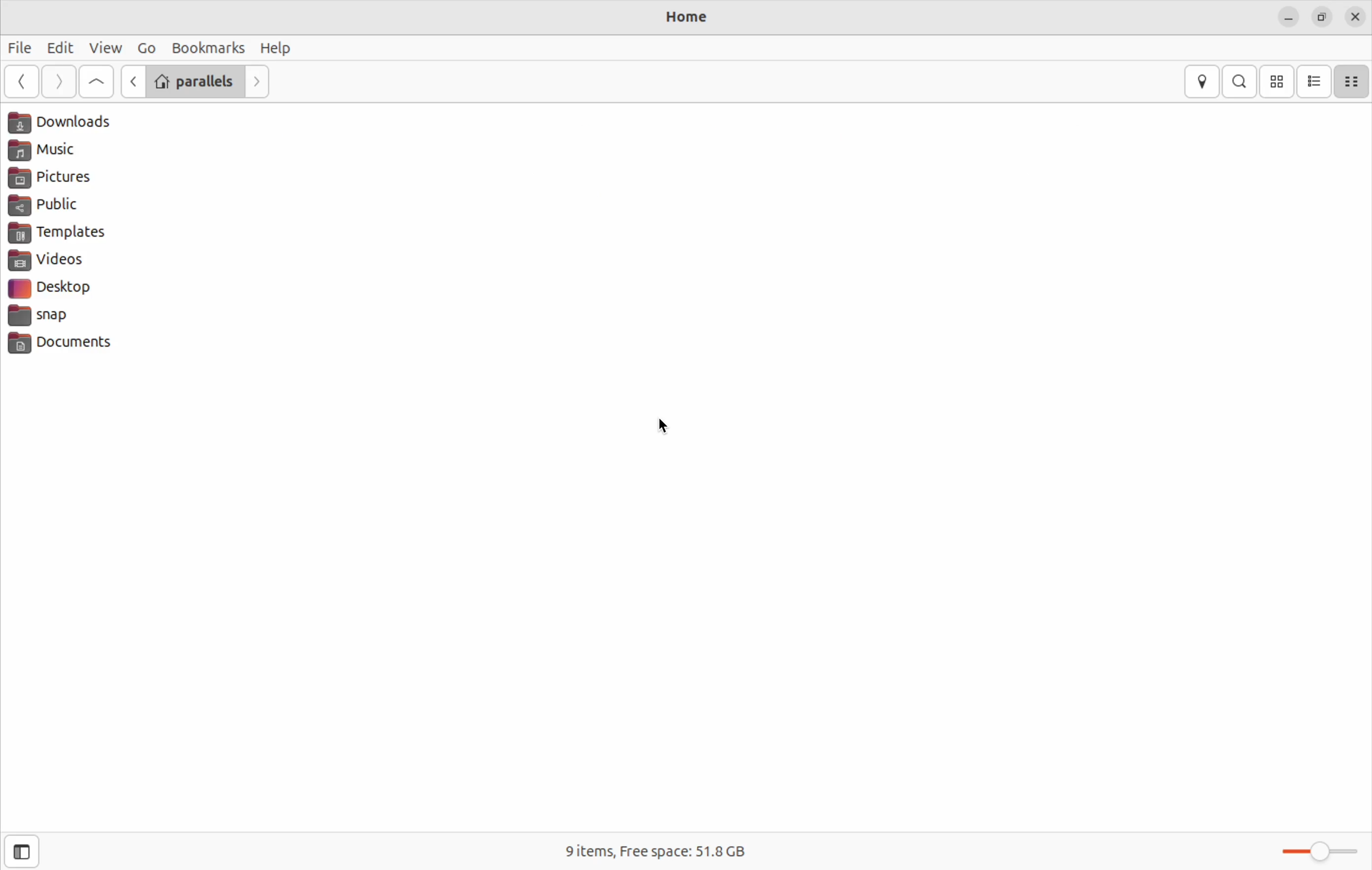  I want to click on Edit, so click(61, 44).